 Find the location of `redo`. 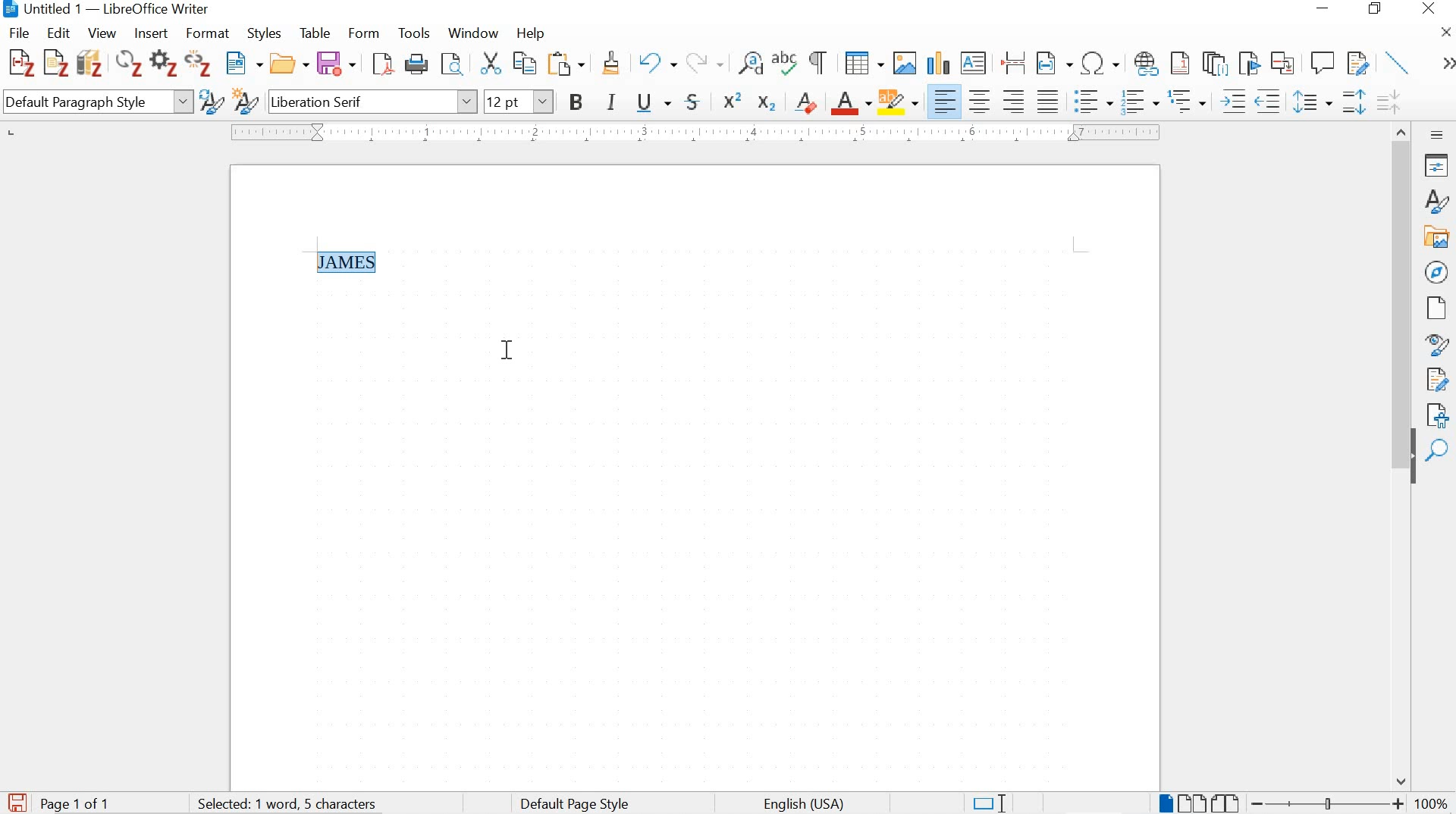

redo is located at coordinates (704, 61).